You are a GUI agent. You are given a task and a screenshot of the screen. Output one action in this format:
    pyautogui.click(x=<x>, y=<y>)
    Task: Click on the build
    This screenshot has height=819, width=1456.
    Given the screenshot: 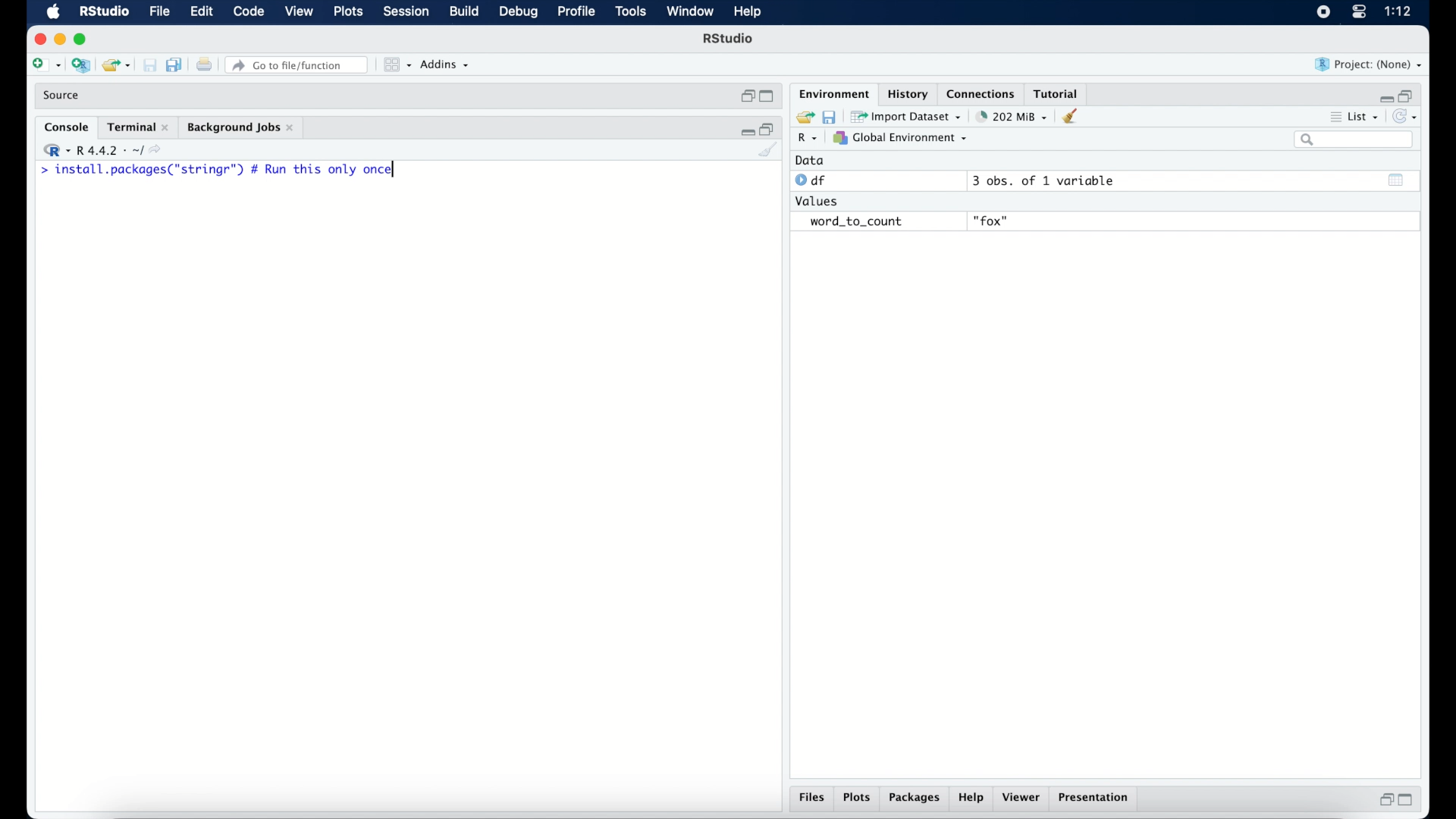 What is the action you would take?
    pyautogui.click(x=463, y=11)
    